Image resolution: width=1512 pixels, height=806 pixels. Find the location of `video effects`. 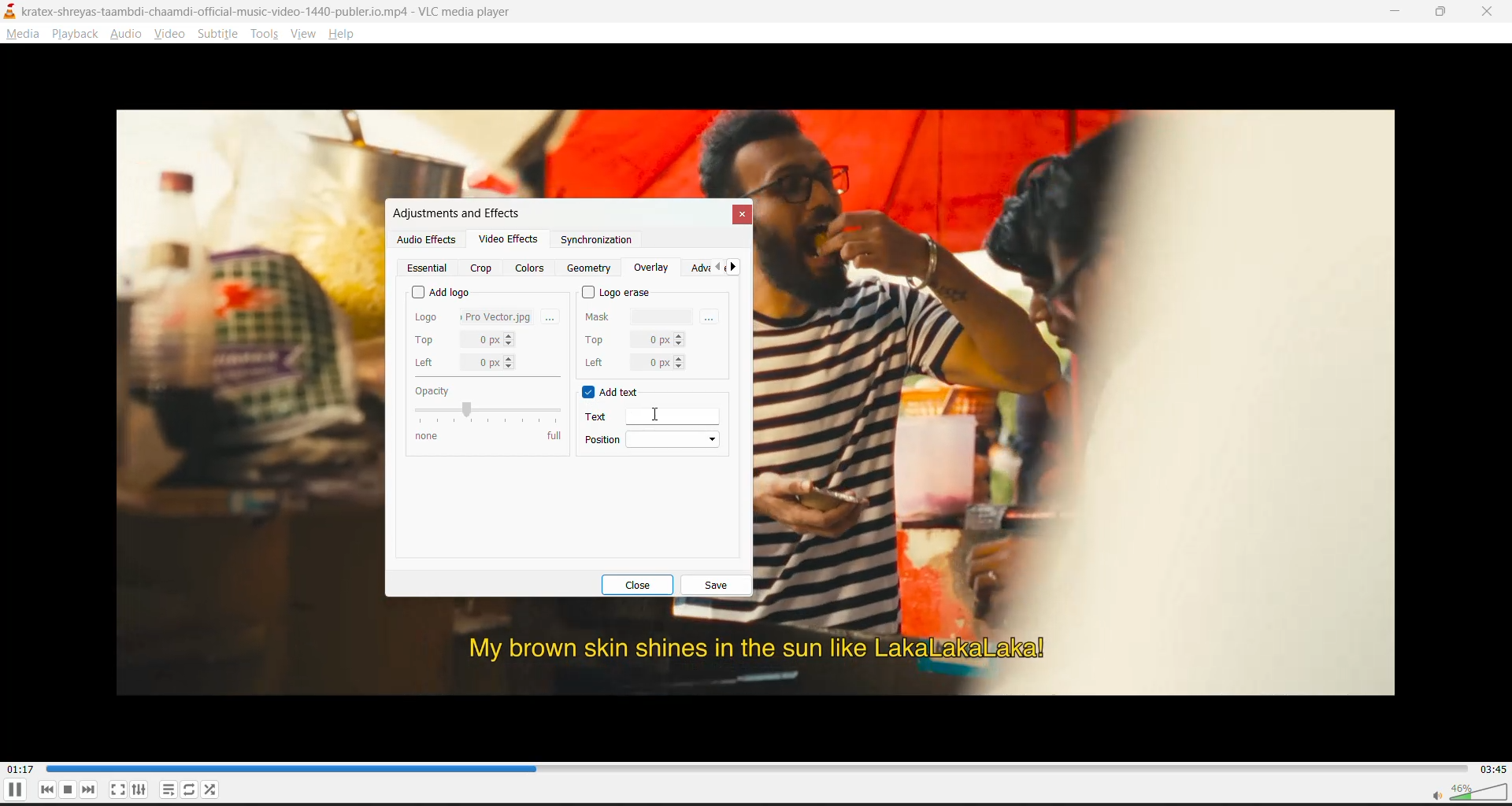

video effects is located at coordinates (508, 242).